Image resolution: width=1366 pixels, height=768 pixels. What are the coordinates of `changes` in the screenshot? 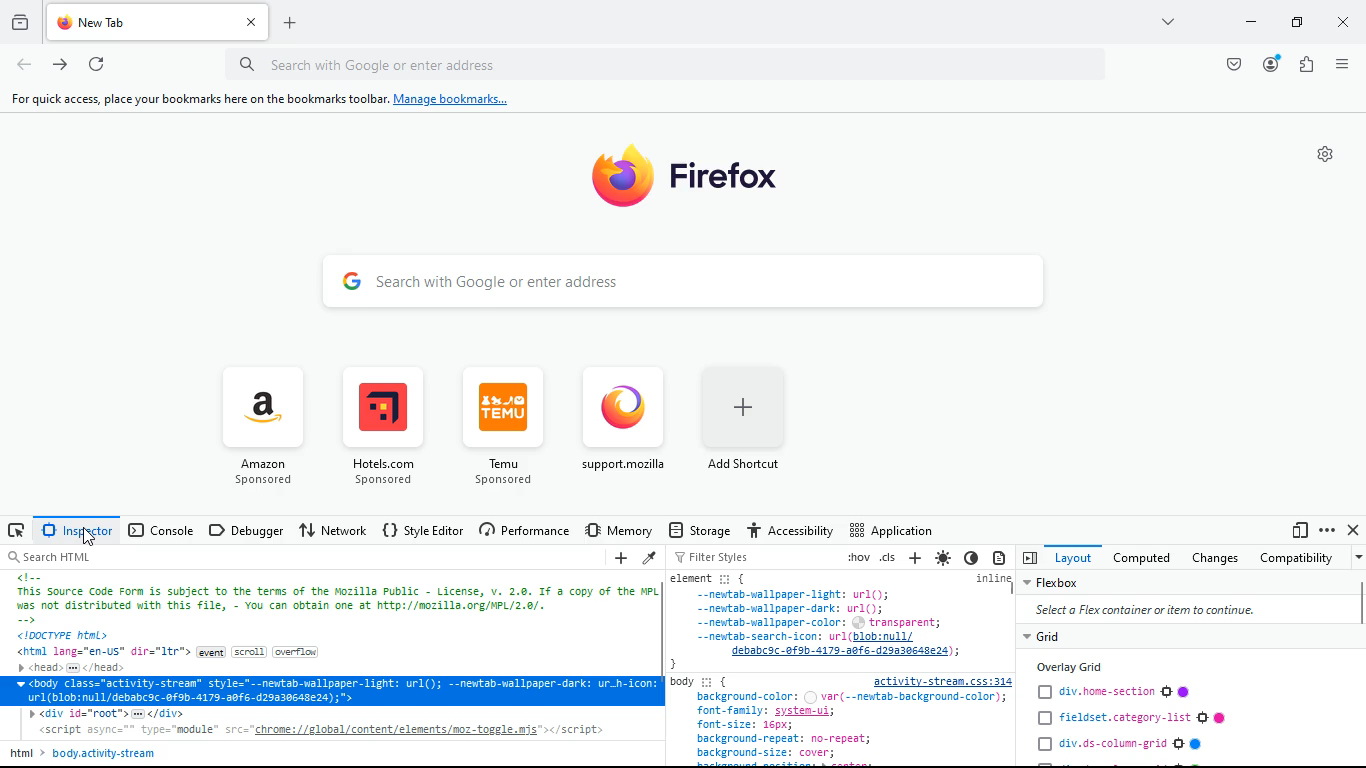 It's located at (1211, 557).